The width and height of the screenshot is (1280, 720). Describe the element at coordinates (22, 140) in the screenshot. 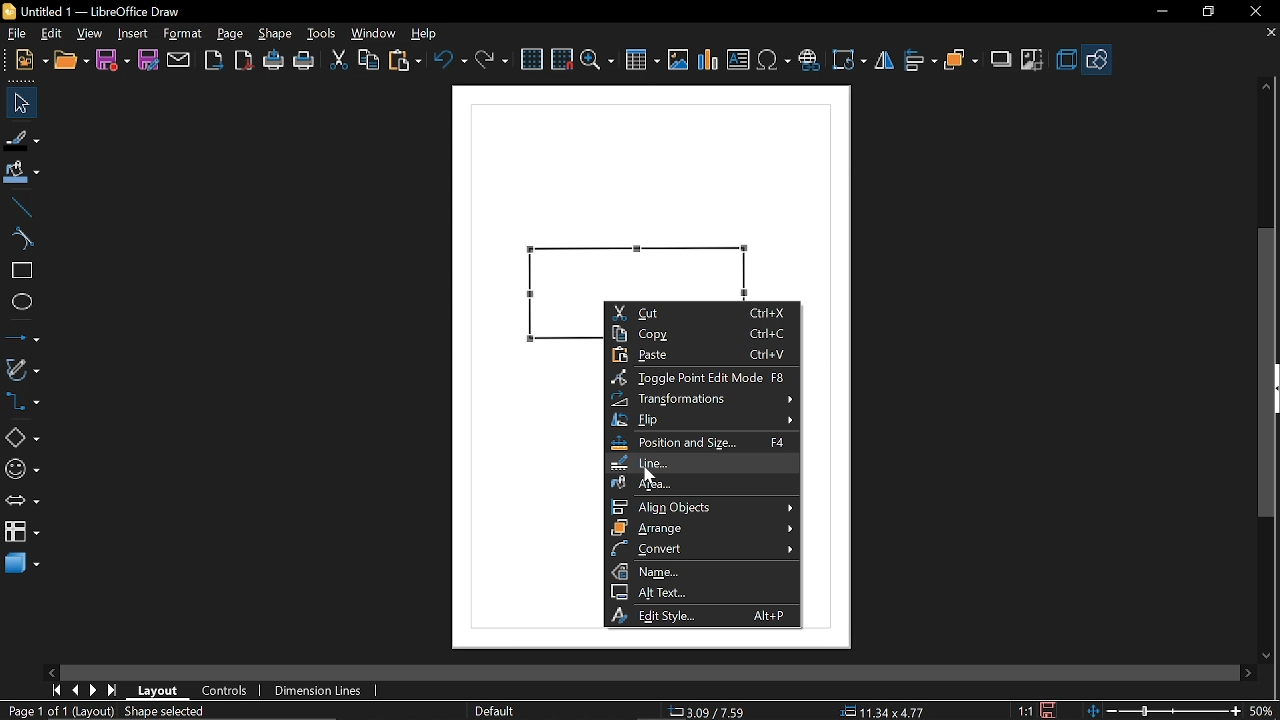

I see `fill line` at that location.